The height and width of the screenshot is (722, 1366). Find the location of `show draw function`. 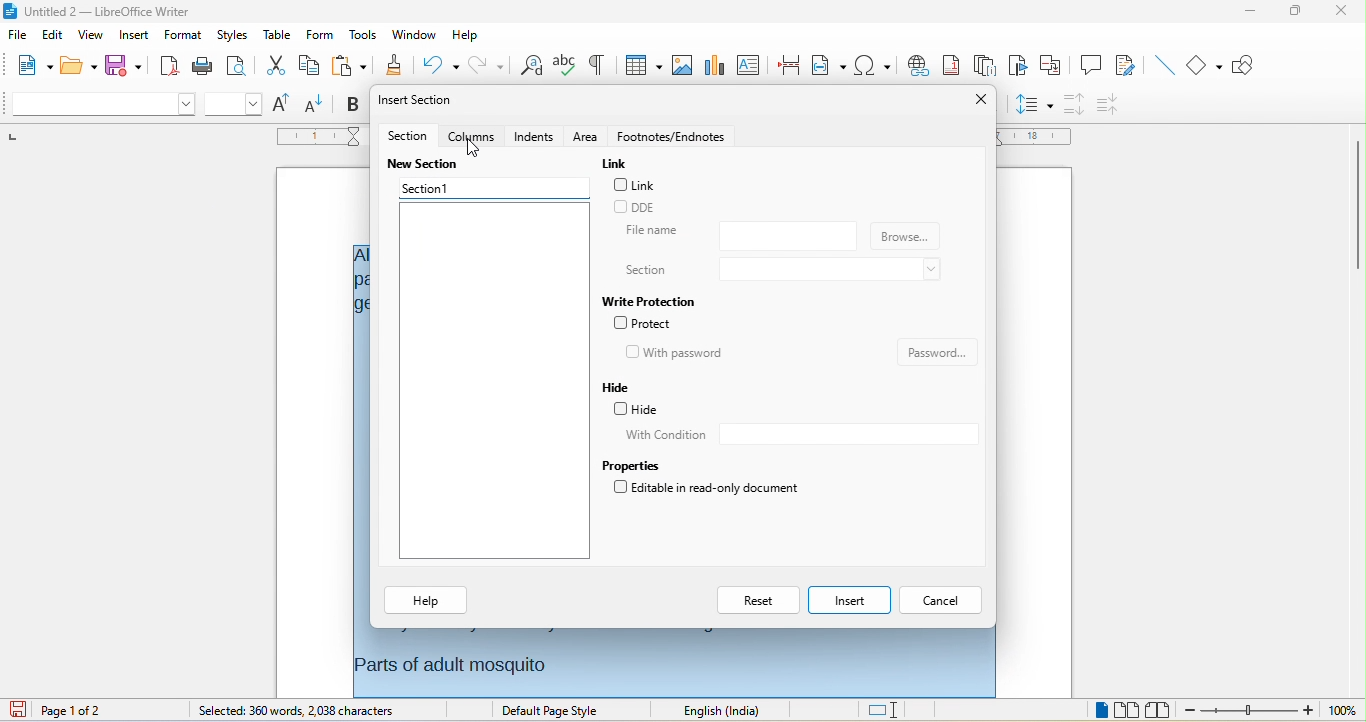

show draw function is located at coordinates (1244, 65).